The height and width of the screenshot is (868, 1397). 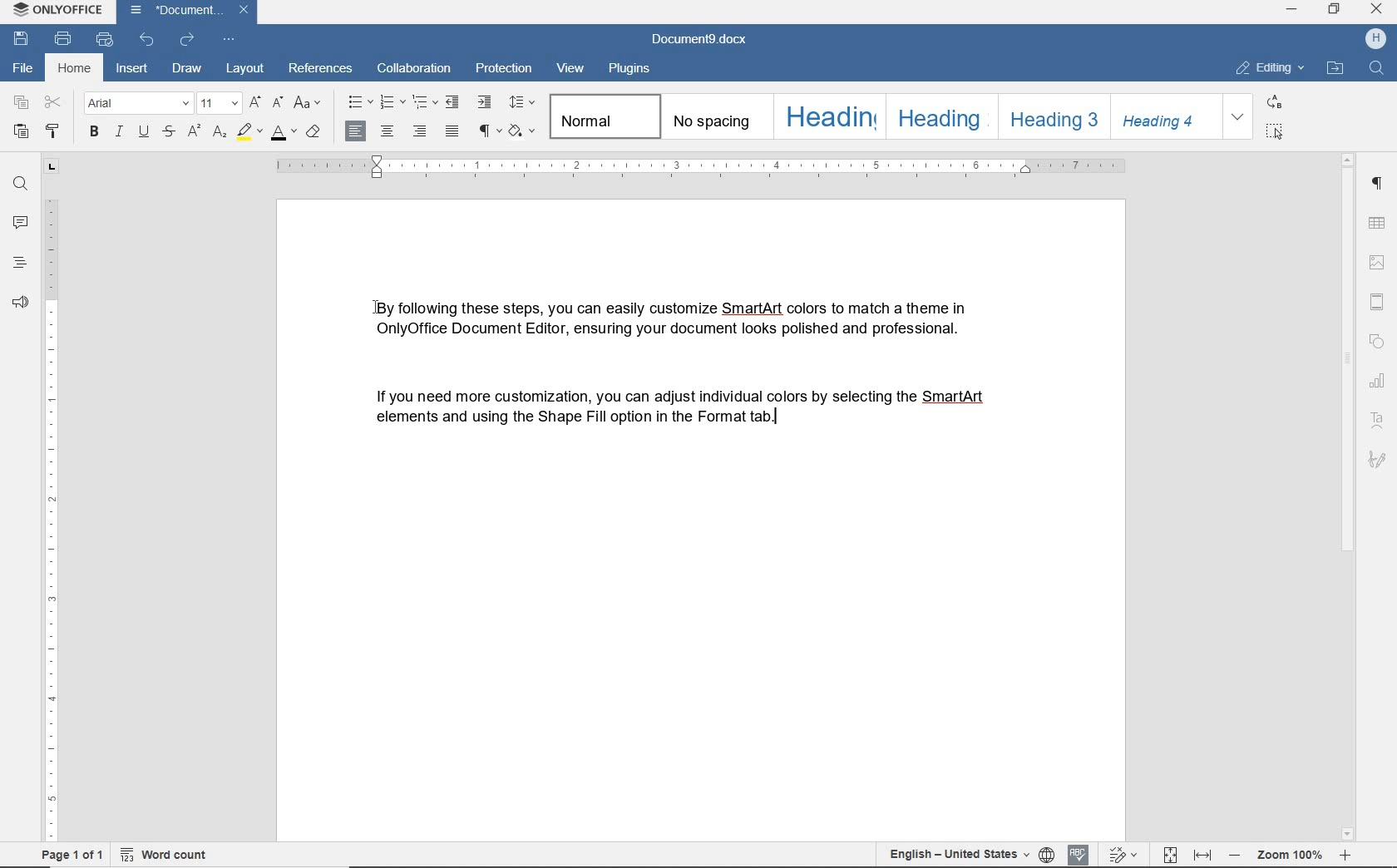 I want to click on comments, so click(x=20, y=225).